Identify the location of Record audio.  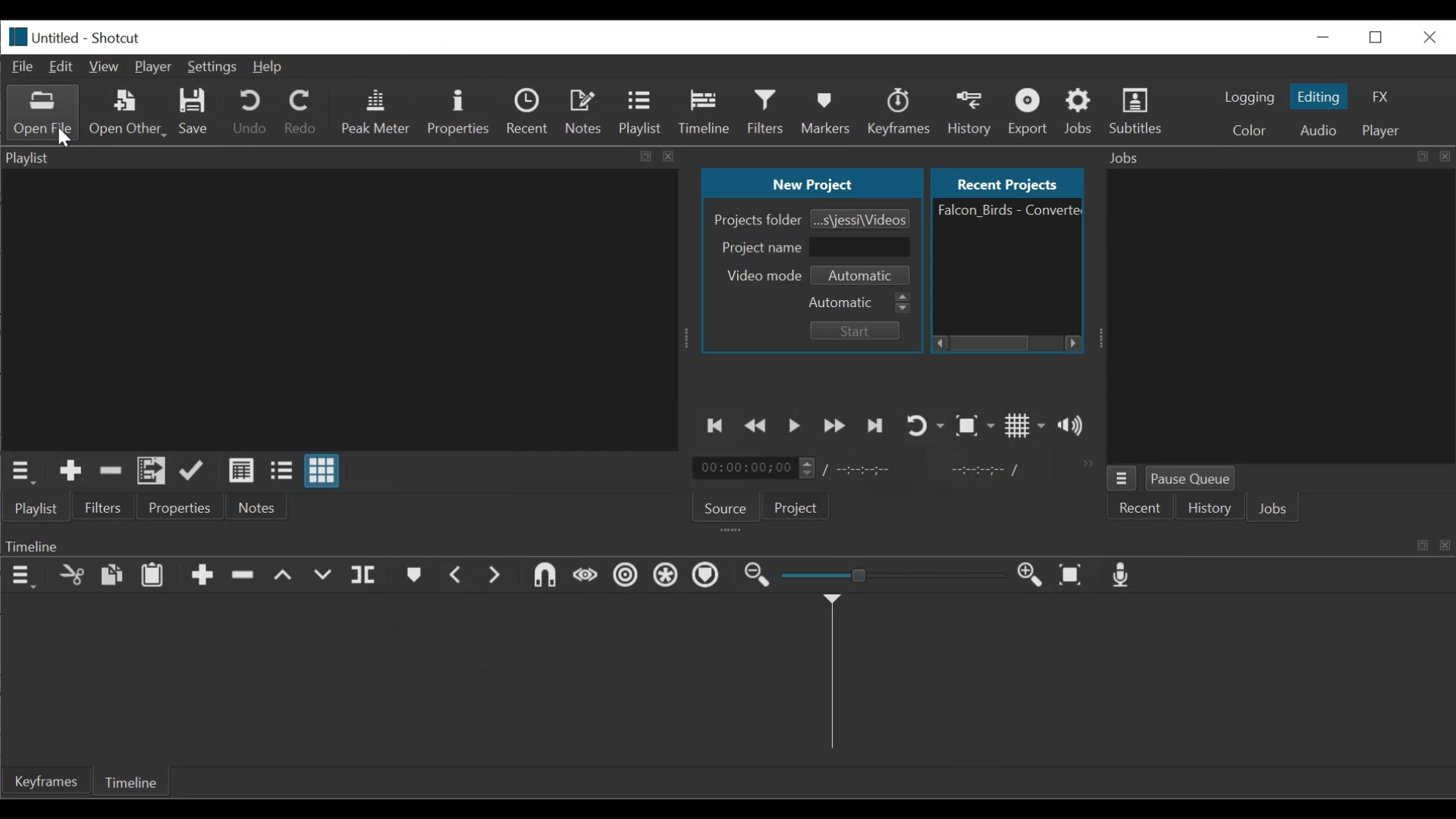
(1125, 576).